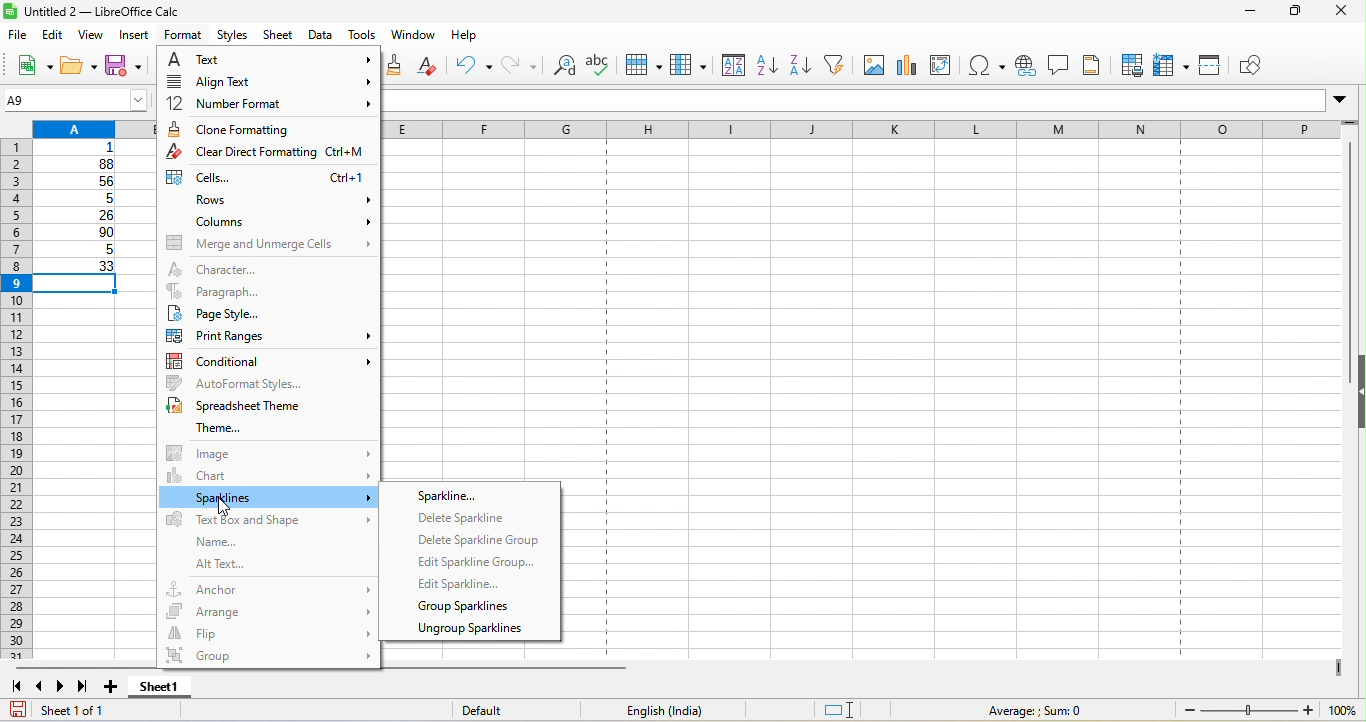 The width and height of the screenshot is (1366, 722). I want to click on maximize, so click(1288, 13).